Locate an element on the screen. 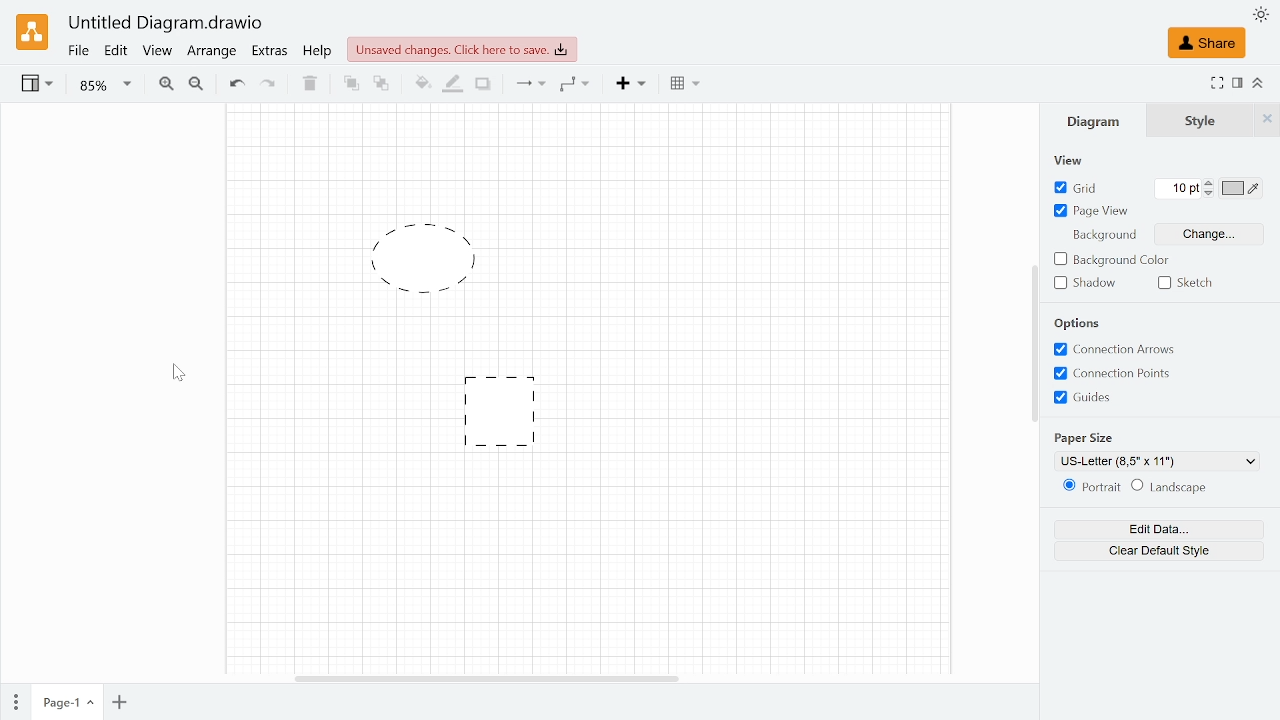  View is located at coordinates (39, 86).